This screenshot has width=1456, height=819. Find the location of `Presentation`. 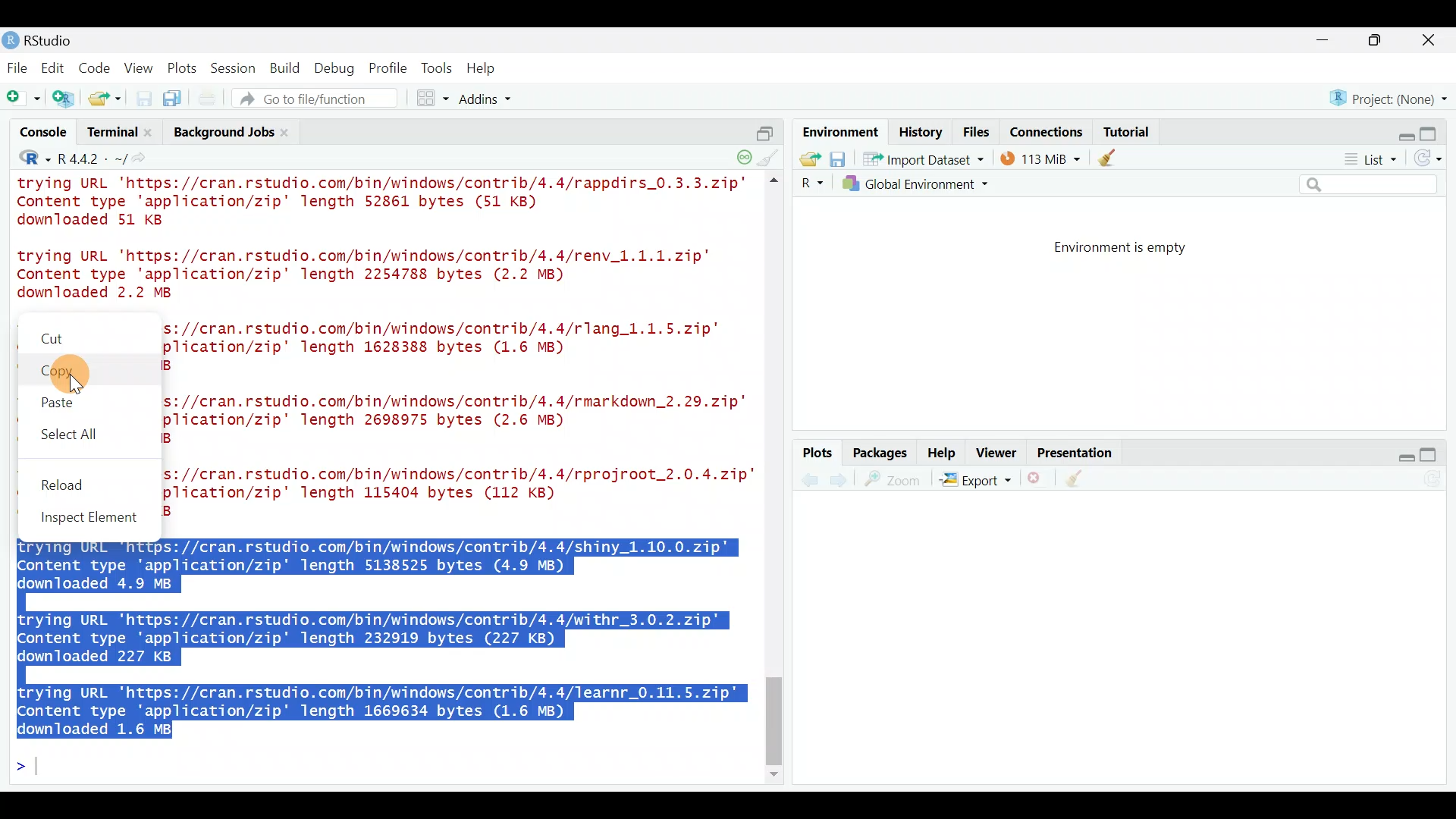

Presentation is located at coordinates (1078, 453).